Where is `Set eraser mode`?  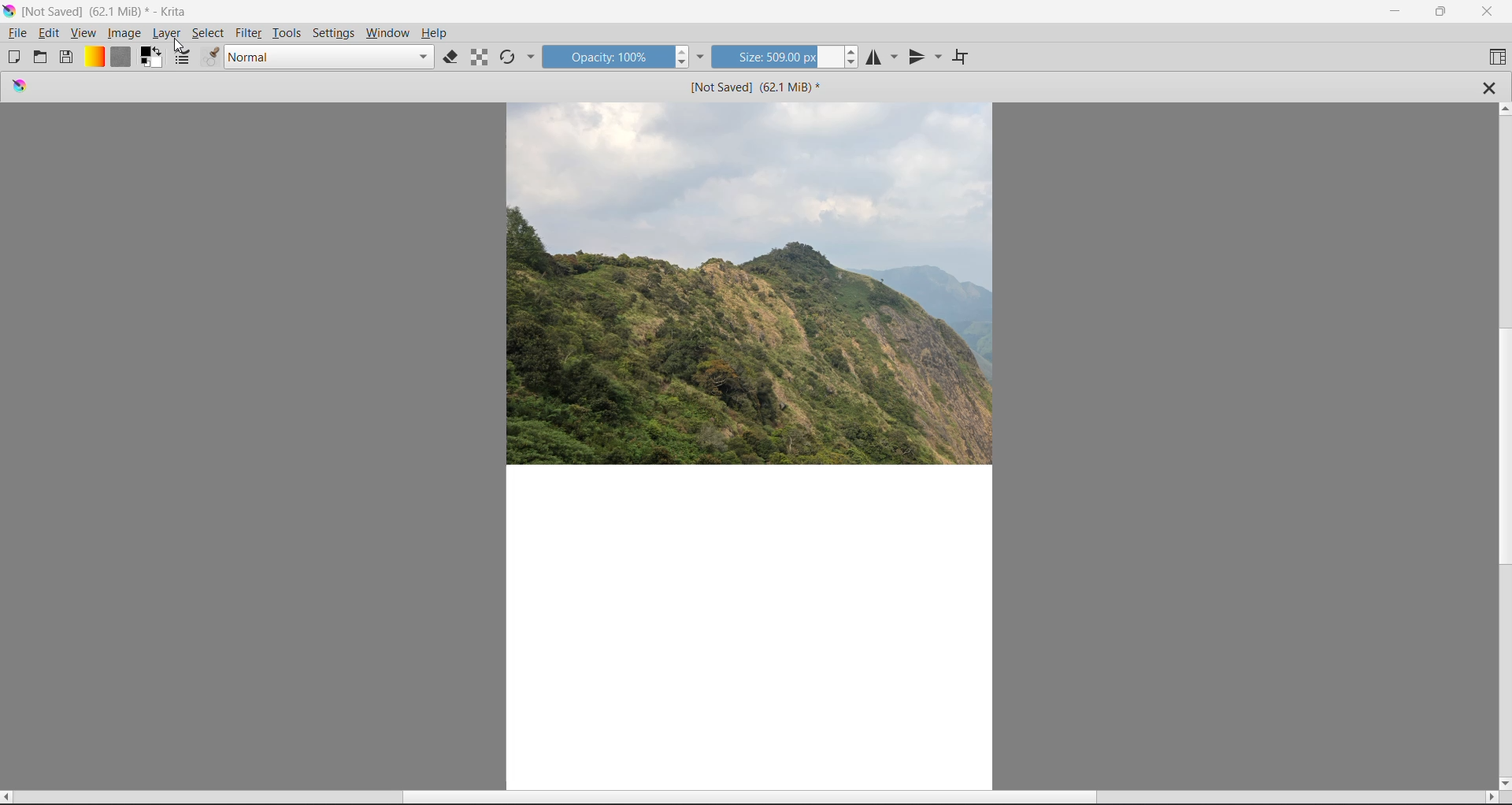
Set eraser mode is located at coordinates (450, 57).